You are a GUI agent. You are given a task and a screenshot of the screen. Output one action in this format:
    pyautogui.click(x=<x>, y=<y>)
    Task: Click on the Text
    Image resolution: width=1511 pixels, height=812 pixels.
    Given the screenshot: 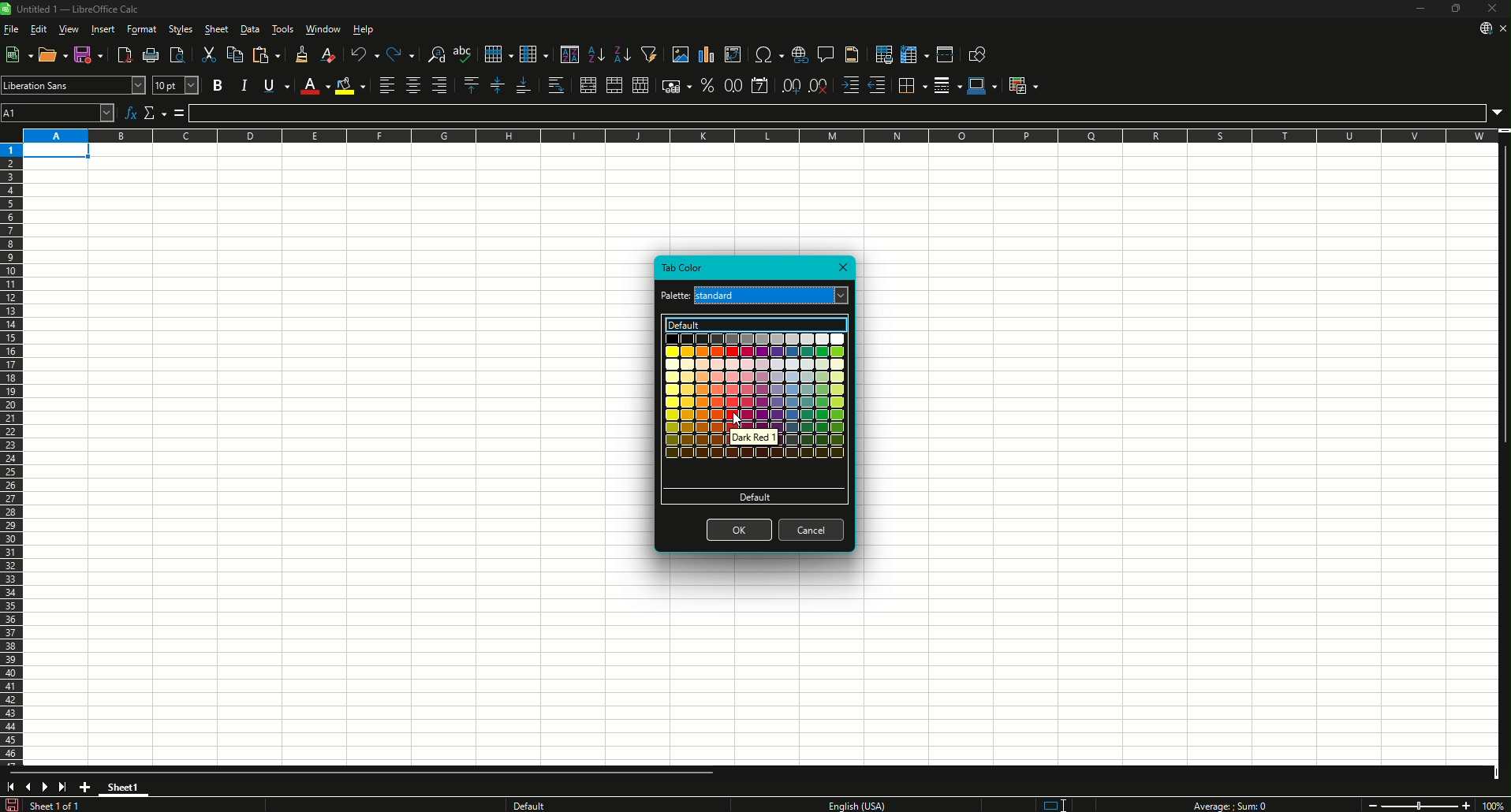 What is the action you would take?
    pyautogui.click(x=78, y=9)
    